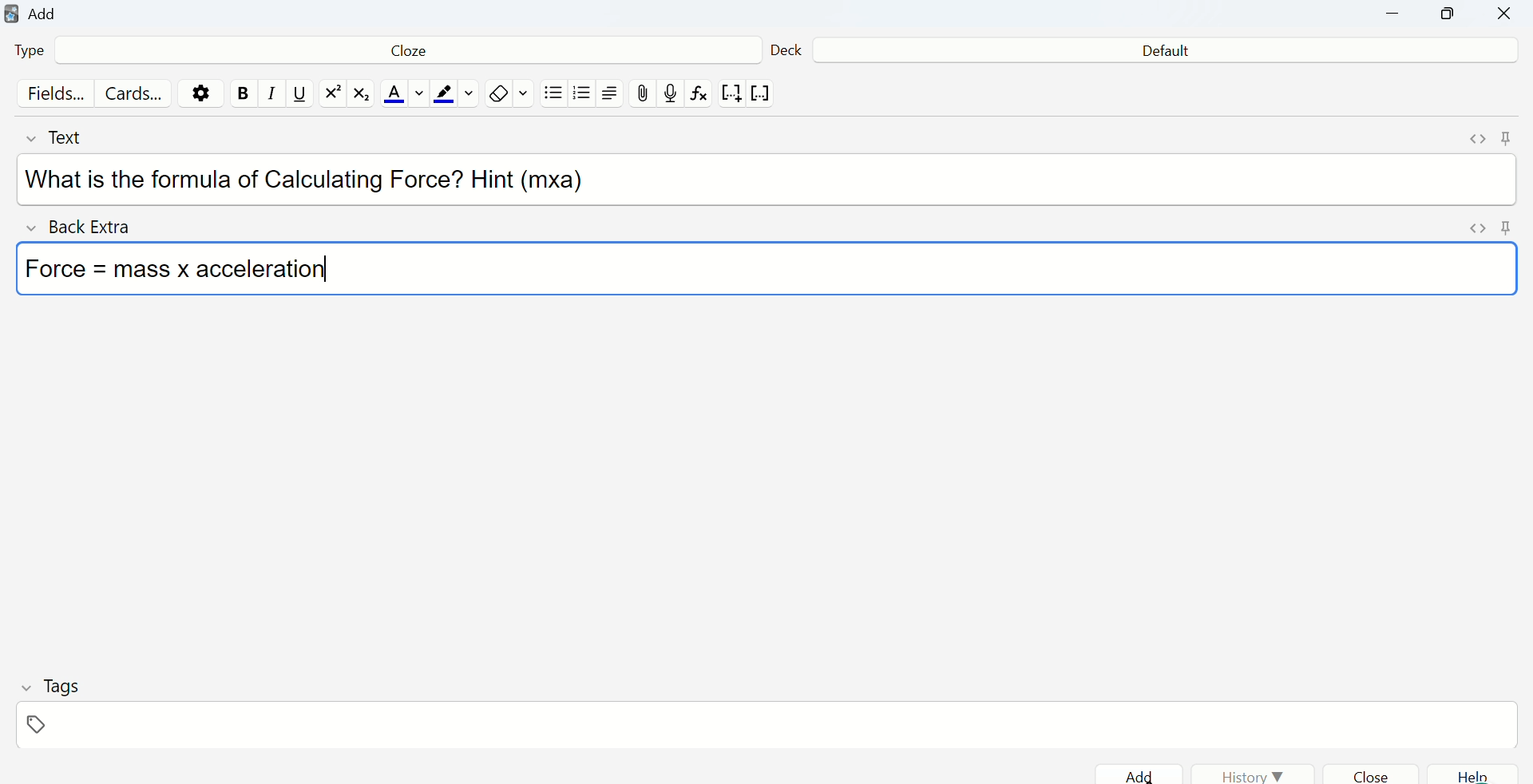 Image resolution: width=1533 pixels, height=784 pixels. I want to click on , so click(1475, 230).